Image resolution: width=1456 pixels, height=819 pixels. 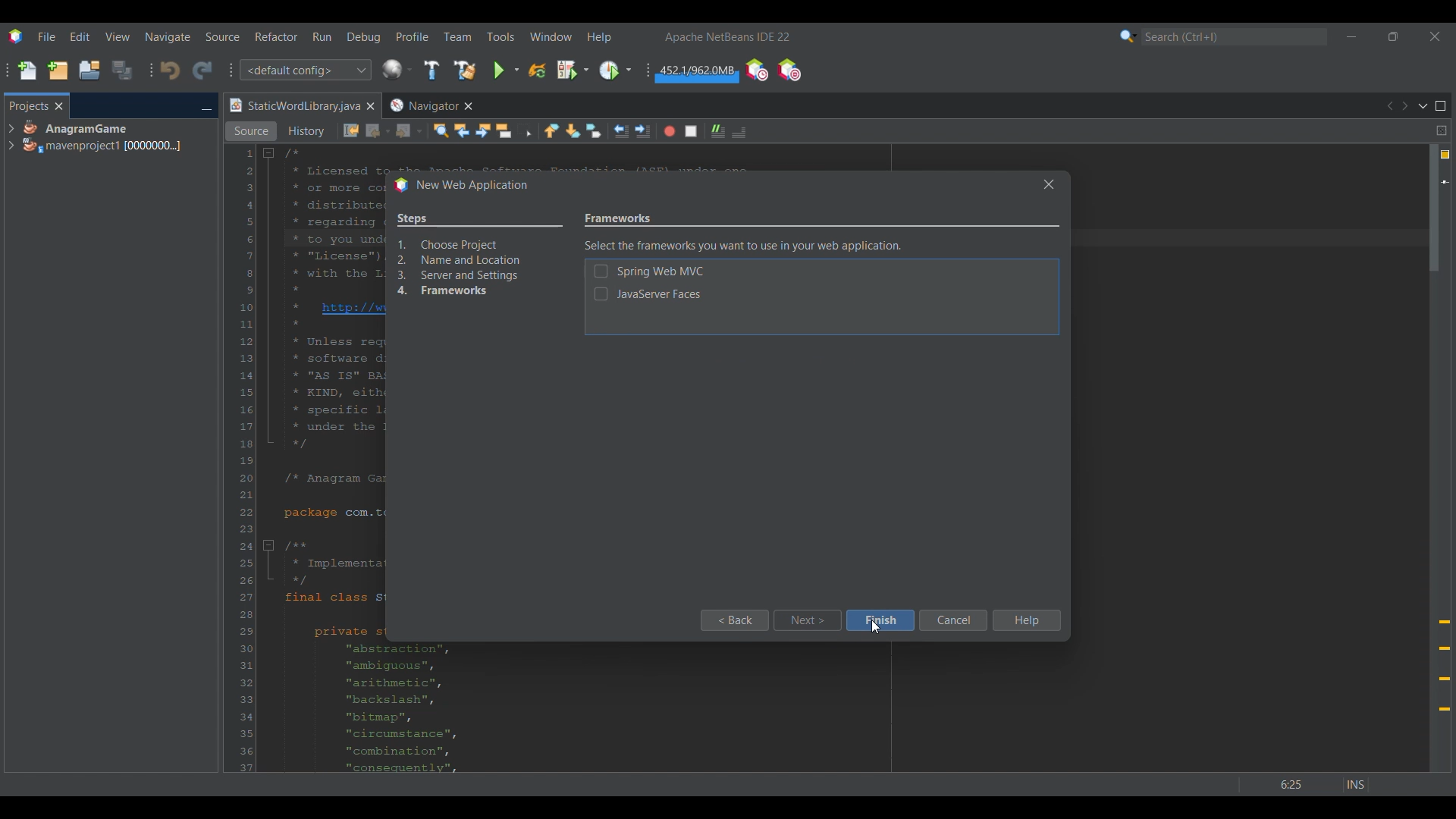 I want to click on Toggle rectangular selection, so click(x=525, y=130).